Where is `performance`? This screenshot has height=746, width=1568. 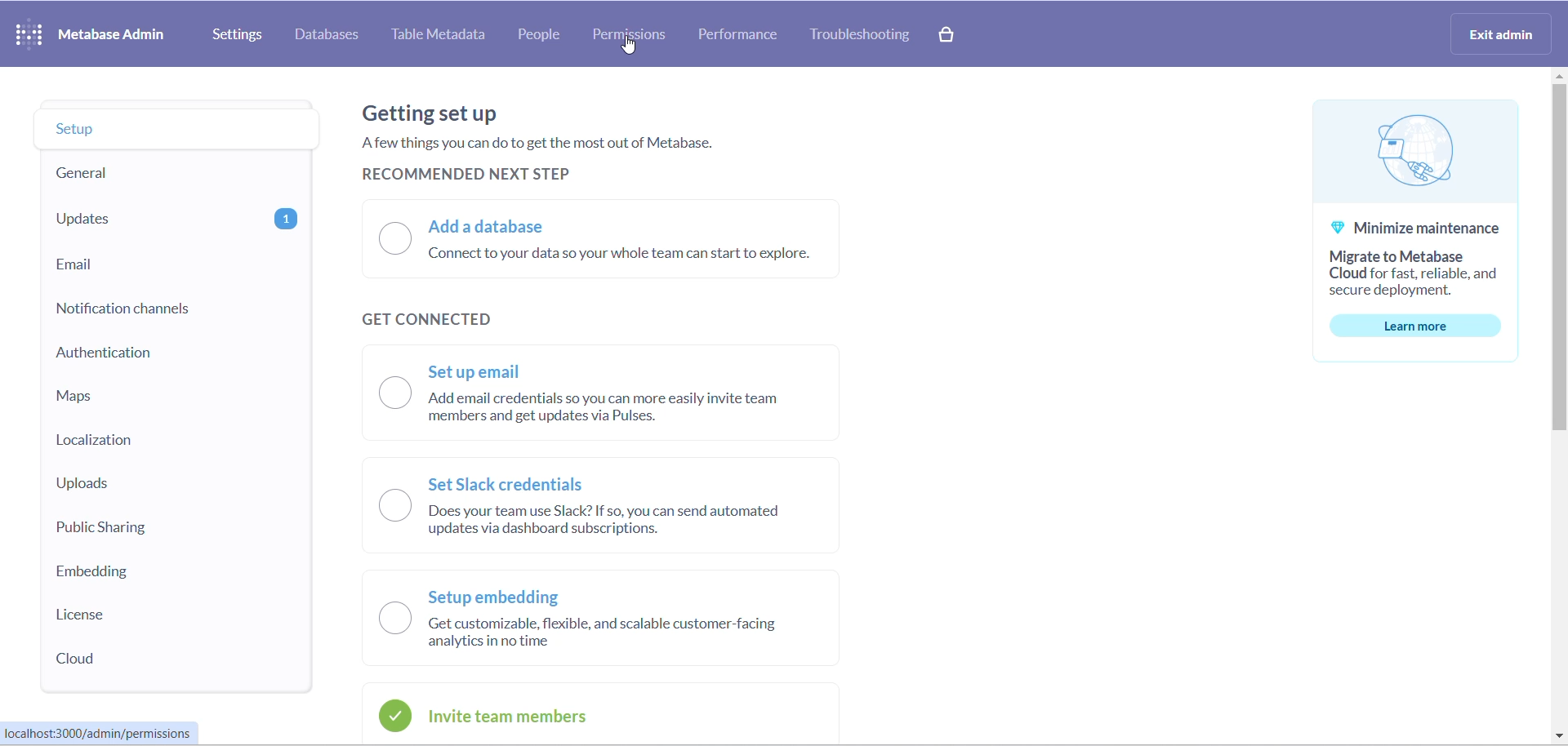
performance is located at coordinates (739, 33).